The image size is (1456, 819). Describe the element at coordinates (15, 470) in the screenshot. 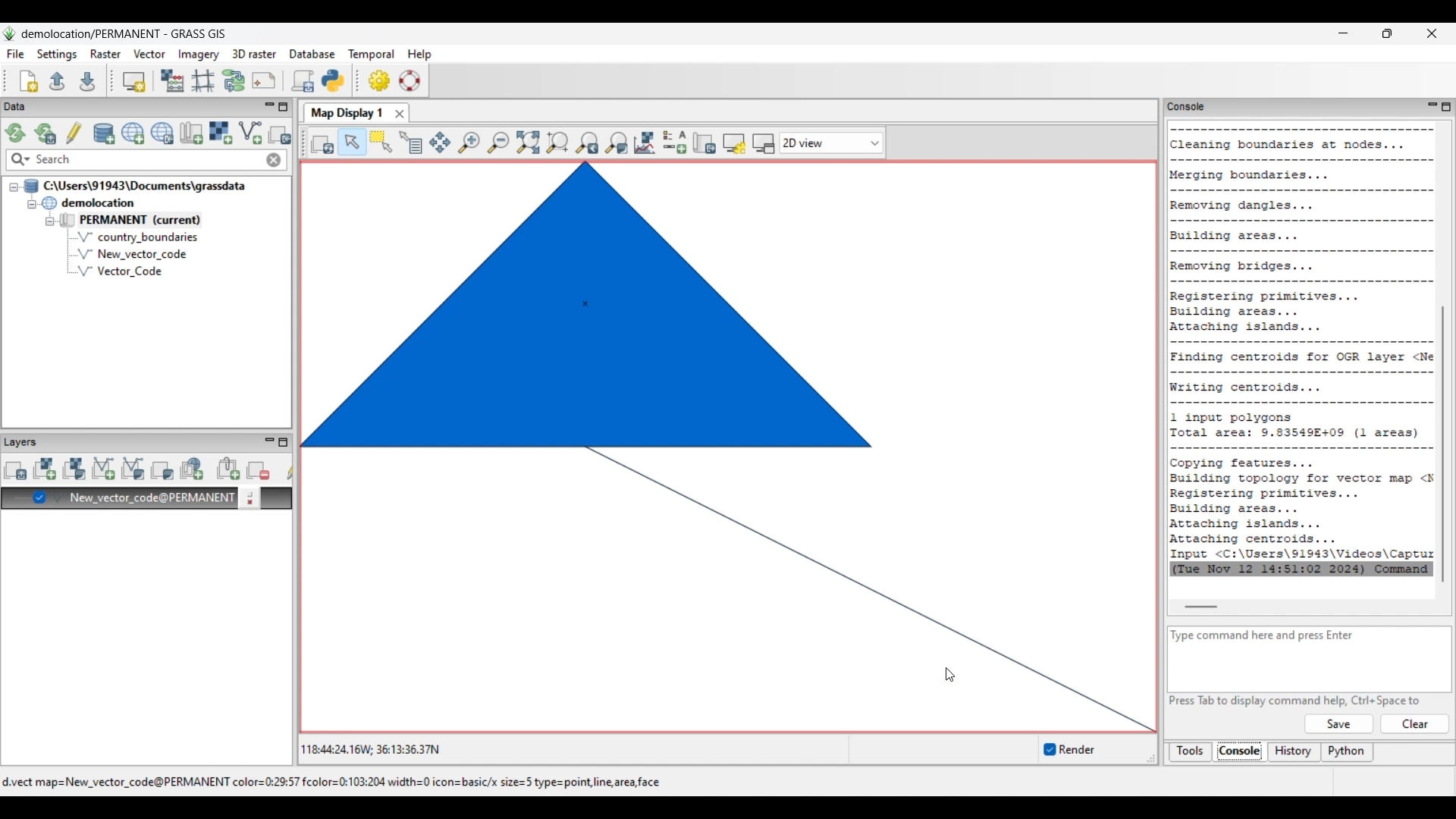

I see `Add multiple vector or raster map layers` at that location.